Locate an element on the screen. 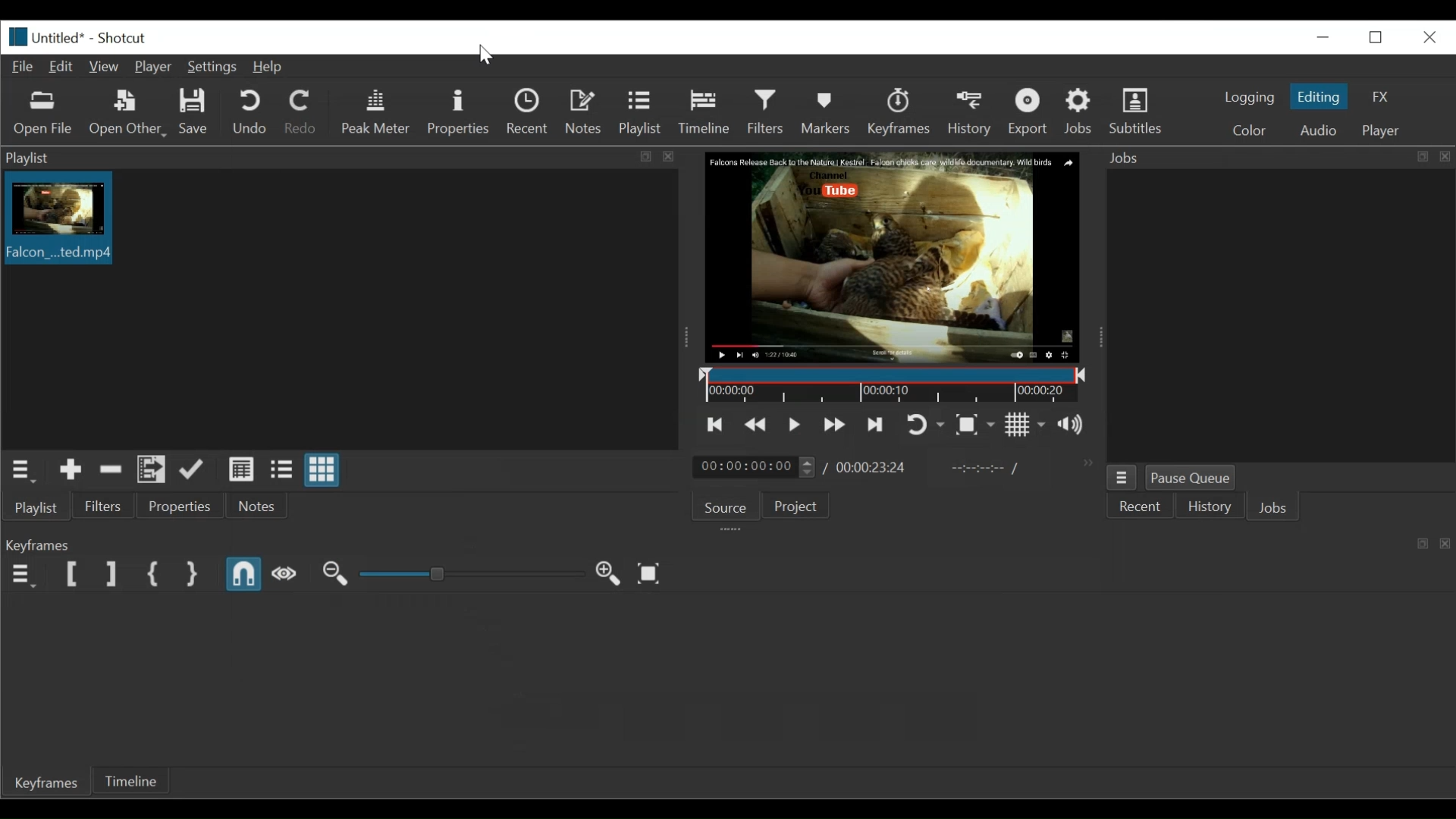 Image resolution: width=1456 pixels, height=819 pixels. Show the volume control is located at coordinates (1075, 425).